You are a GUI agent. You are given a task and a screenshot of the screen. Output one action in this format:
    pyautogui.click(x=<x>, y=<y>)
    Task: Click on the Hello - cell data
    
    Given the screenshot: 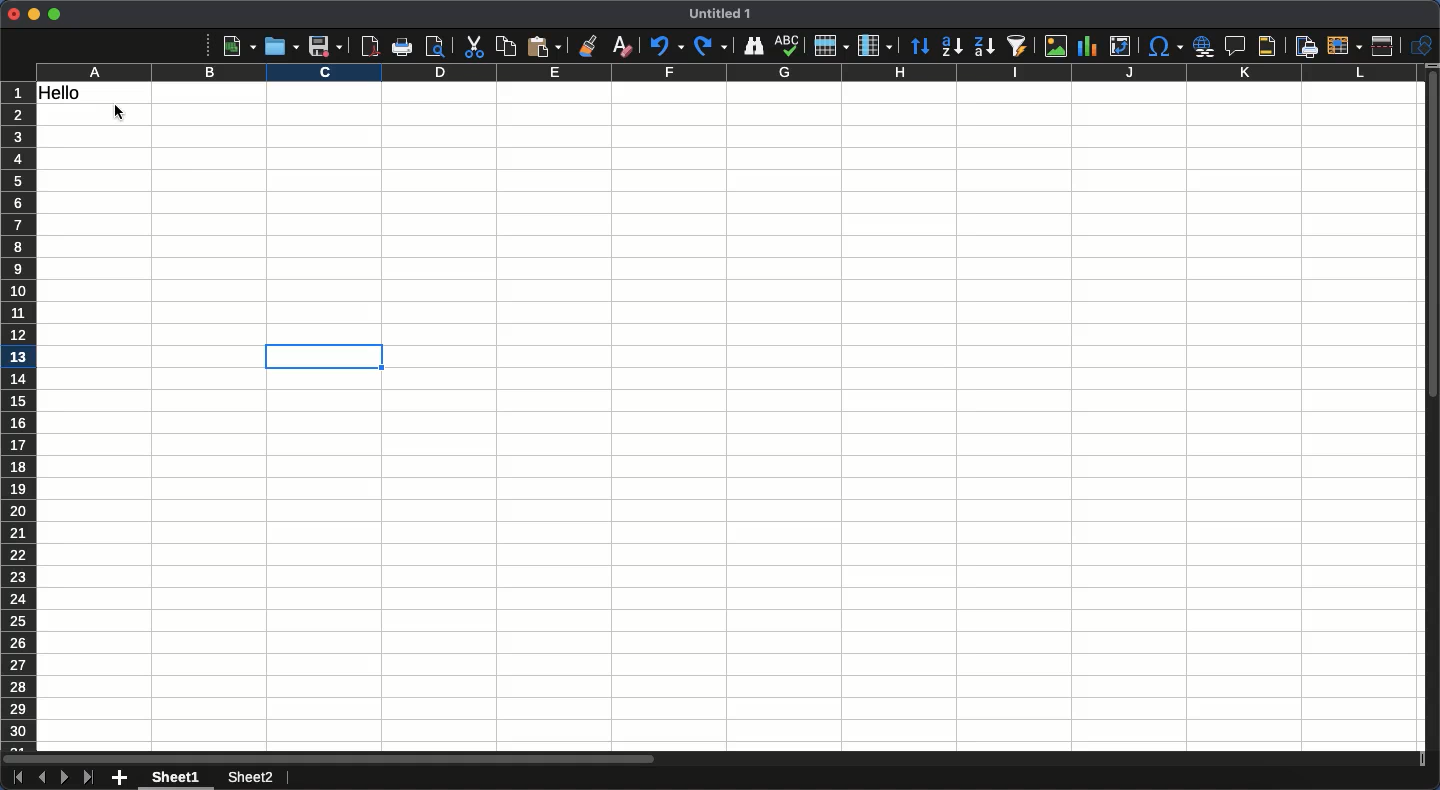 What is the action you would take?
    pyautogui.click(x=93, y=93)
    